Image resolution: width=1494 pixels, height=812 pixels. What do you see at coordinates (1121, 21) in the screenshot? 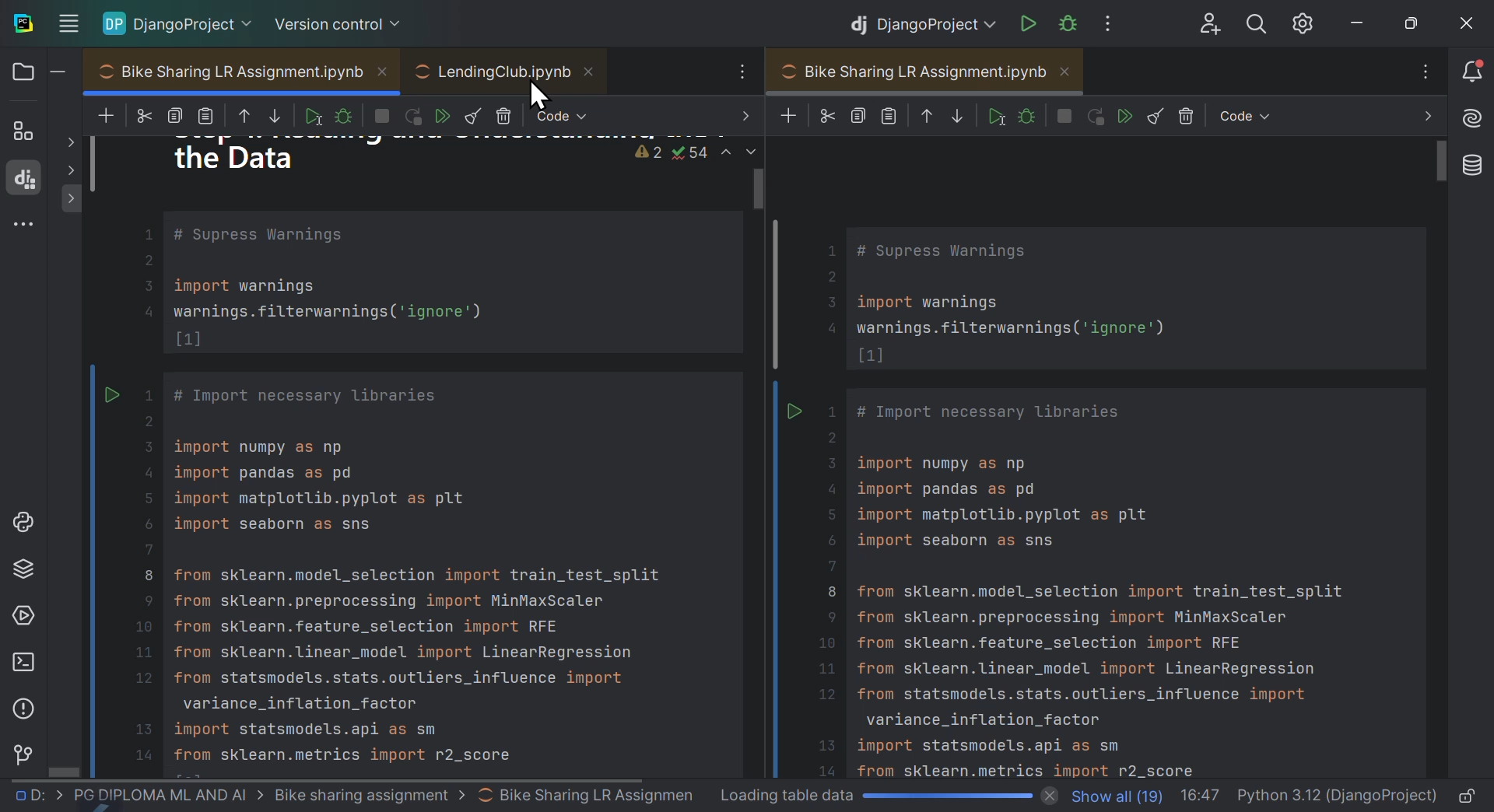
I see `More options` at bounding box center [1121, 21].